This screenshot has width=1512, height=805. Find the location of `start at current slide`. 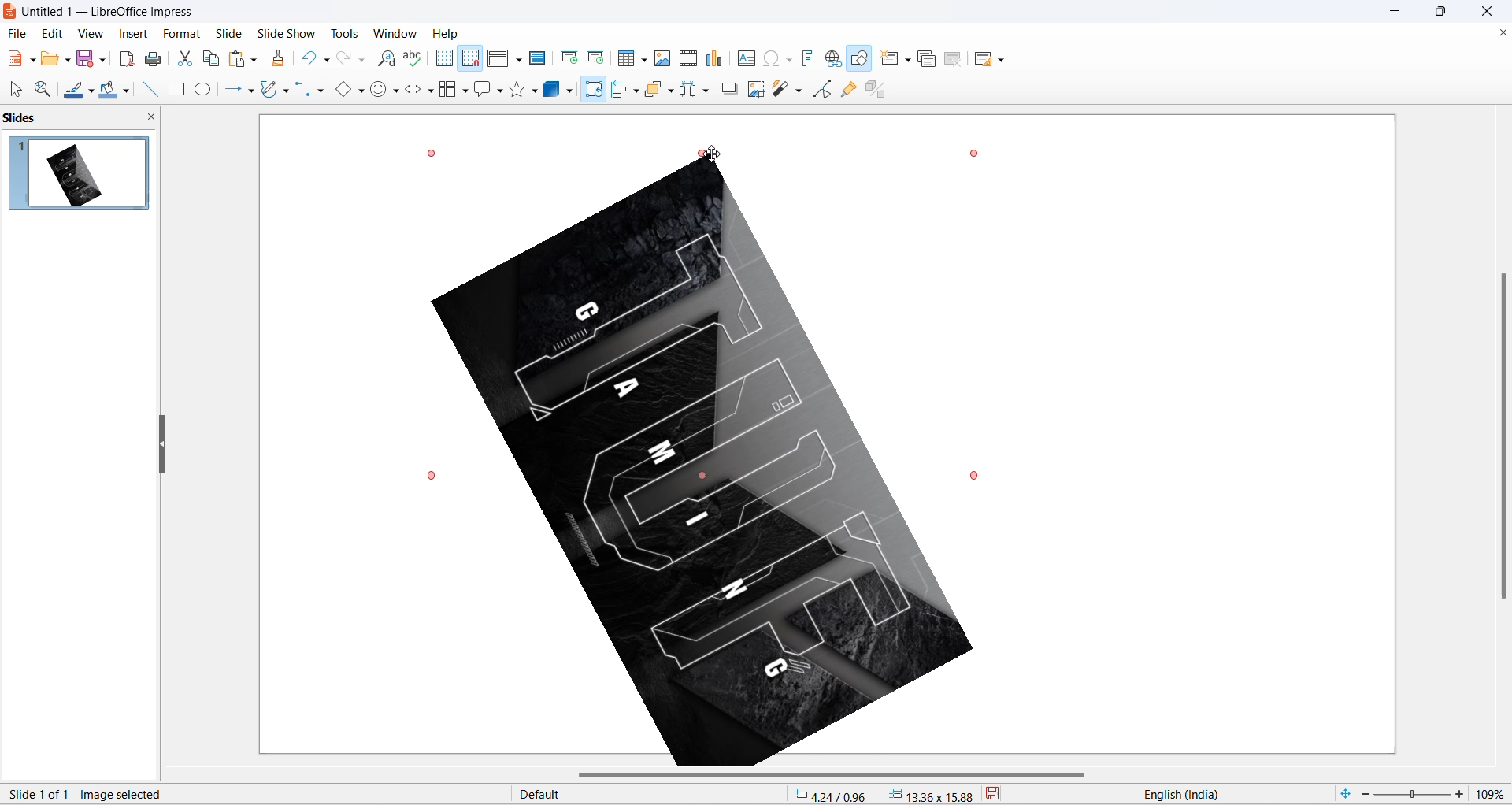

start at current slide is located at coordinates (598, 57).